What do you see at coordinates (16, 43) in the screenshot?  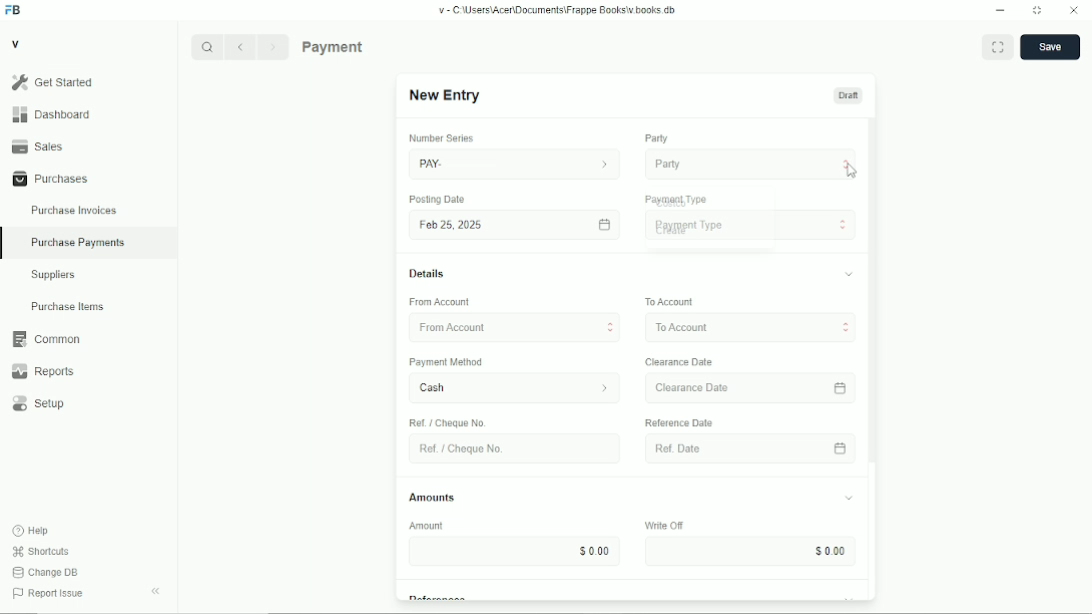 I see `V` at bounding box center [16, 43].